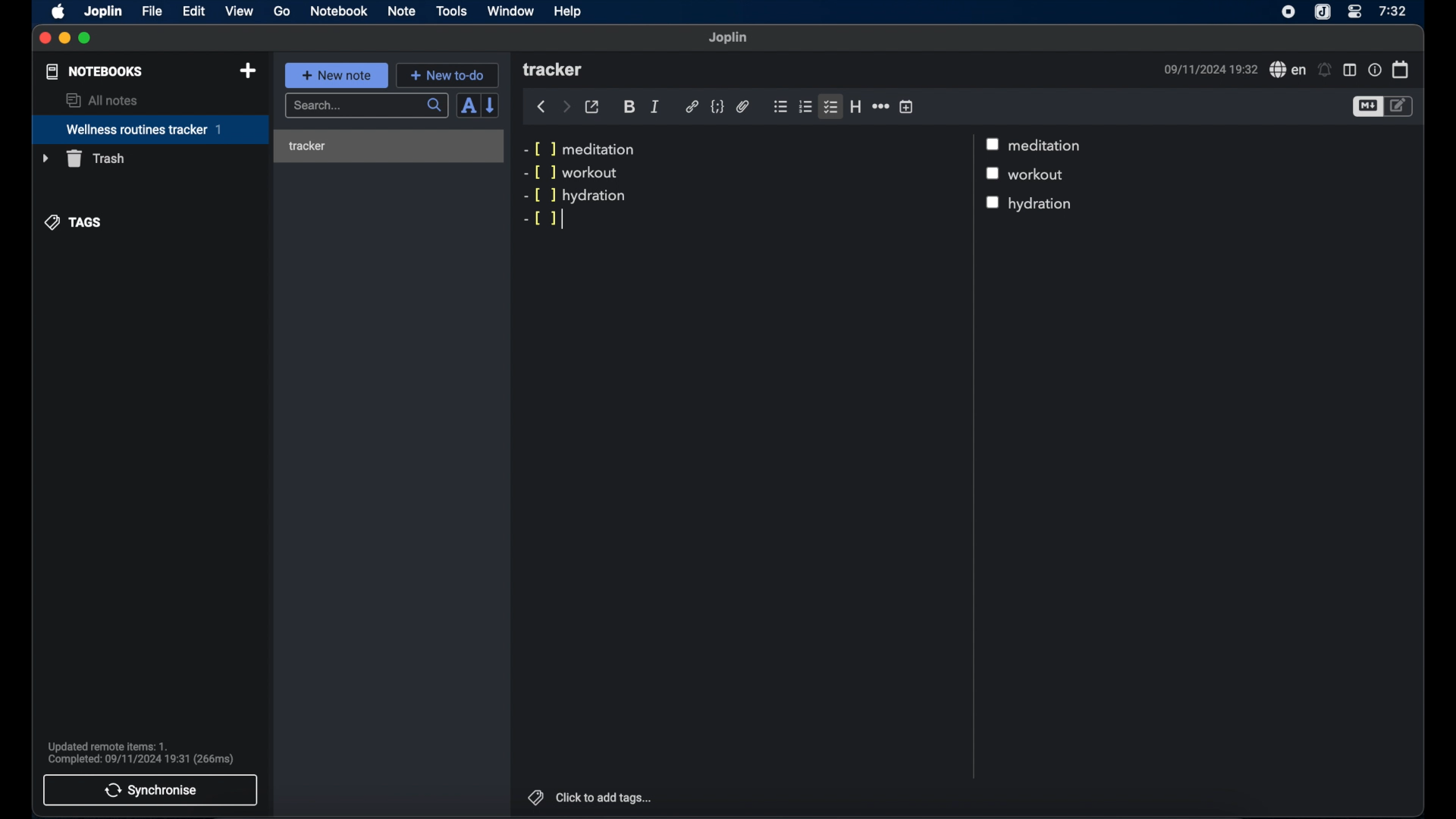  Describe the element at coordinates (339, 11) in the screenshot. I see `notebook` at that location.